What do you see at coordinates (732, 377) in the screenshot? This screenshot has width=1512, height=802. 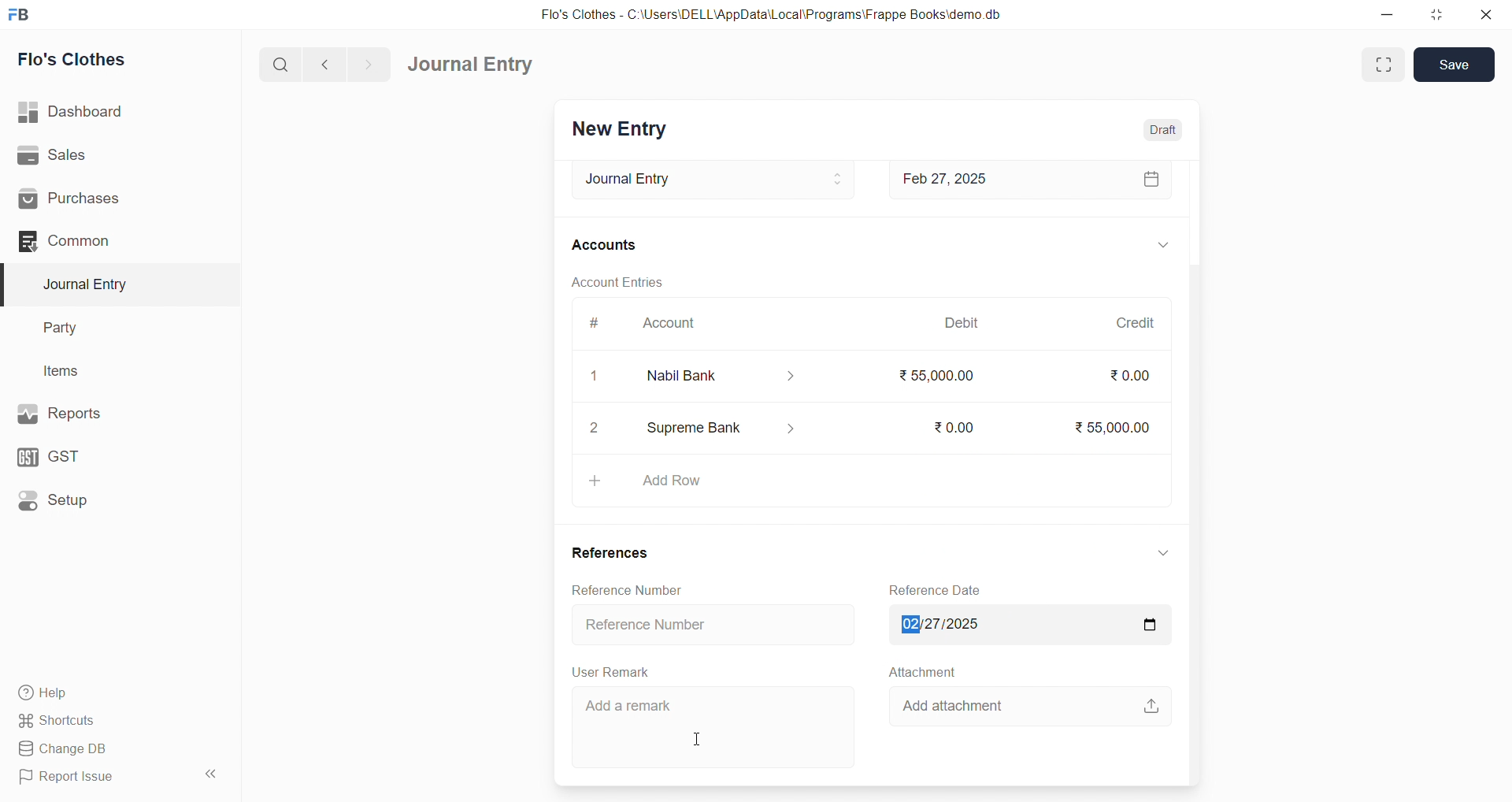 I see `Nabil Bank` at bounding box center [732, 377].